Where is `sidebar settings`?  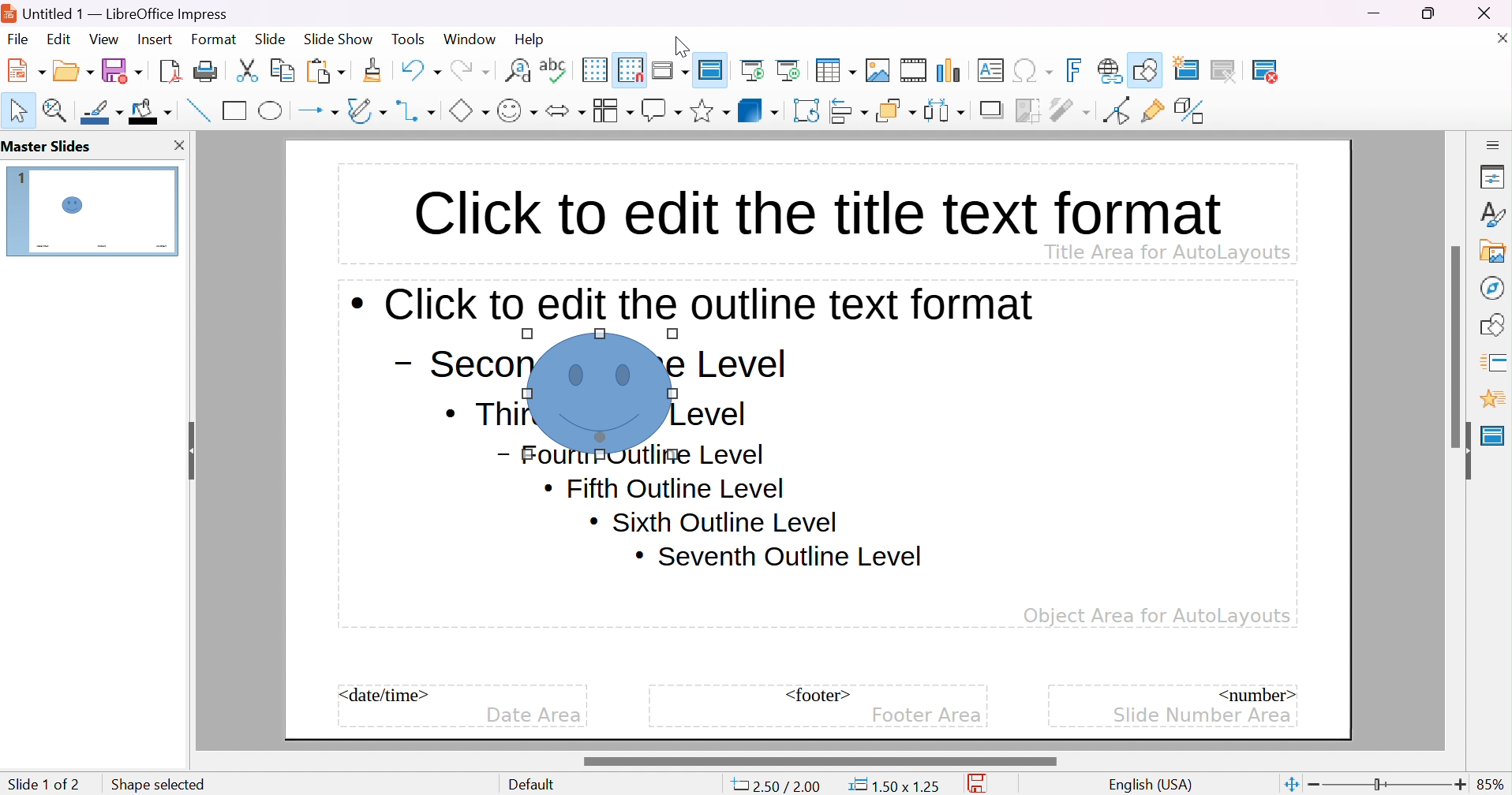 sidebar settings is located at coordinates (1494, 144).